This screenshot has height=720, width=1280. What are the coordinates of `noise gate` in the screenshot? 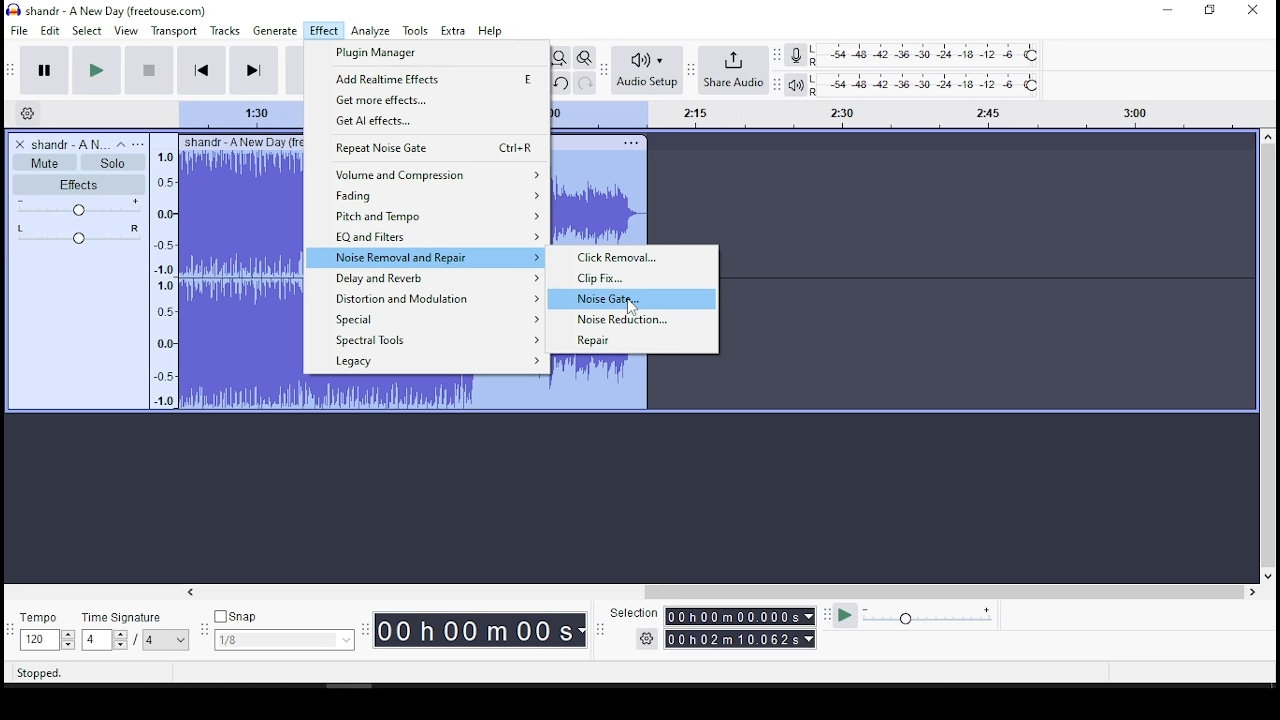 It's located at (636, 299).